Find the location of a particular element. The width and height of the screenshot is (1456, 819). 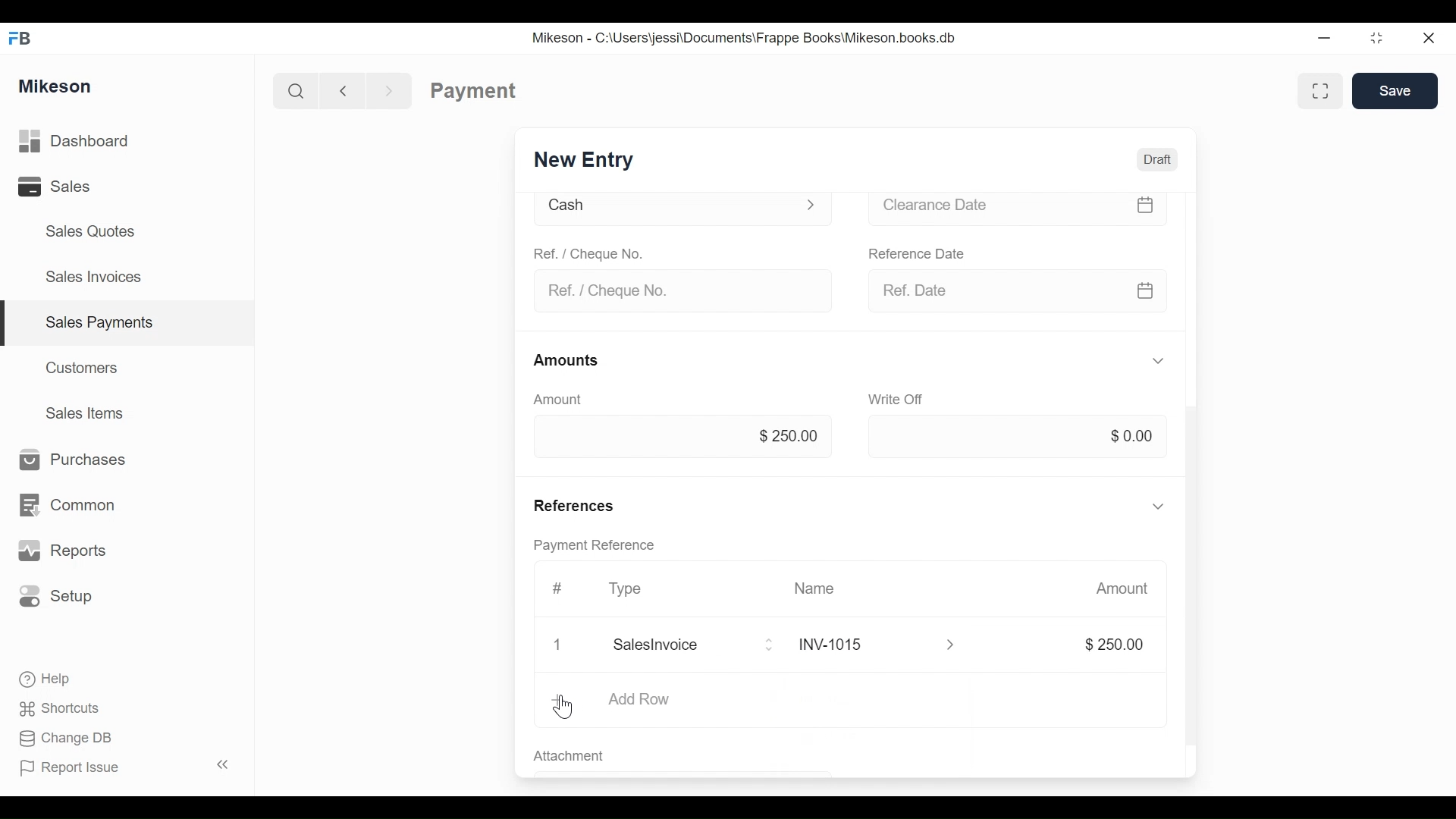

Hide is located at coordinates (1159, 504).